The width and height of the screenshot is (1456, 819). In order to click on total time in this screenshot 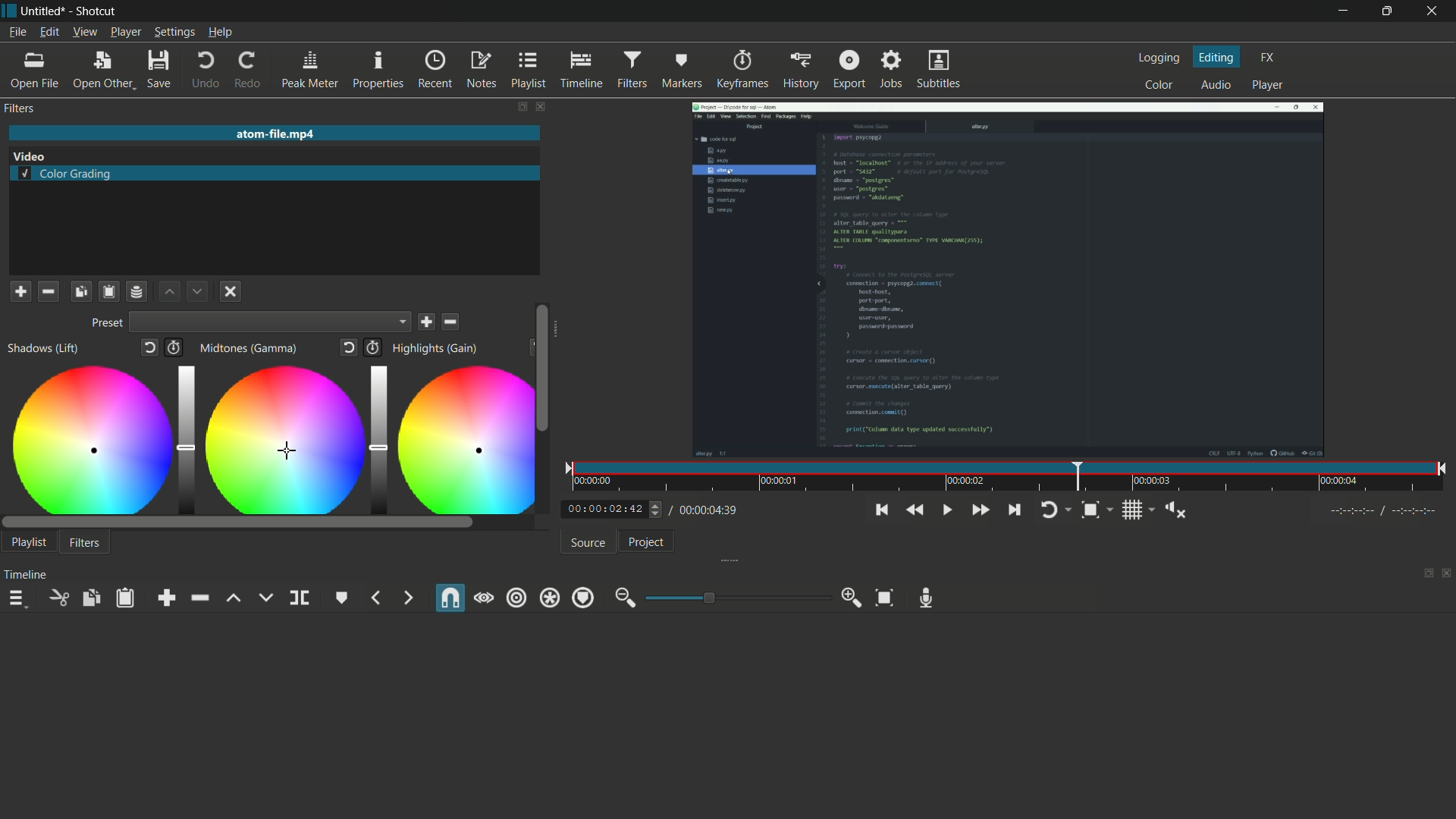, I will do `click(704, 510)`.